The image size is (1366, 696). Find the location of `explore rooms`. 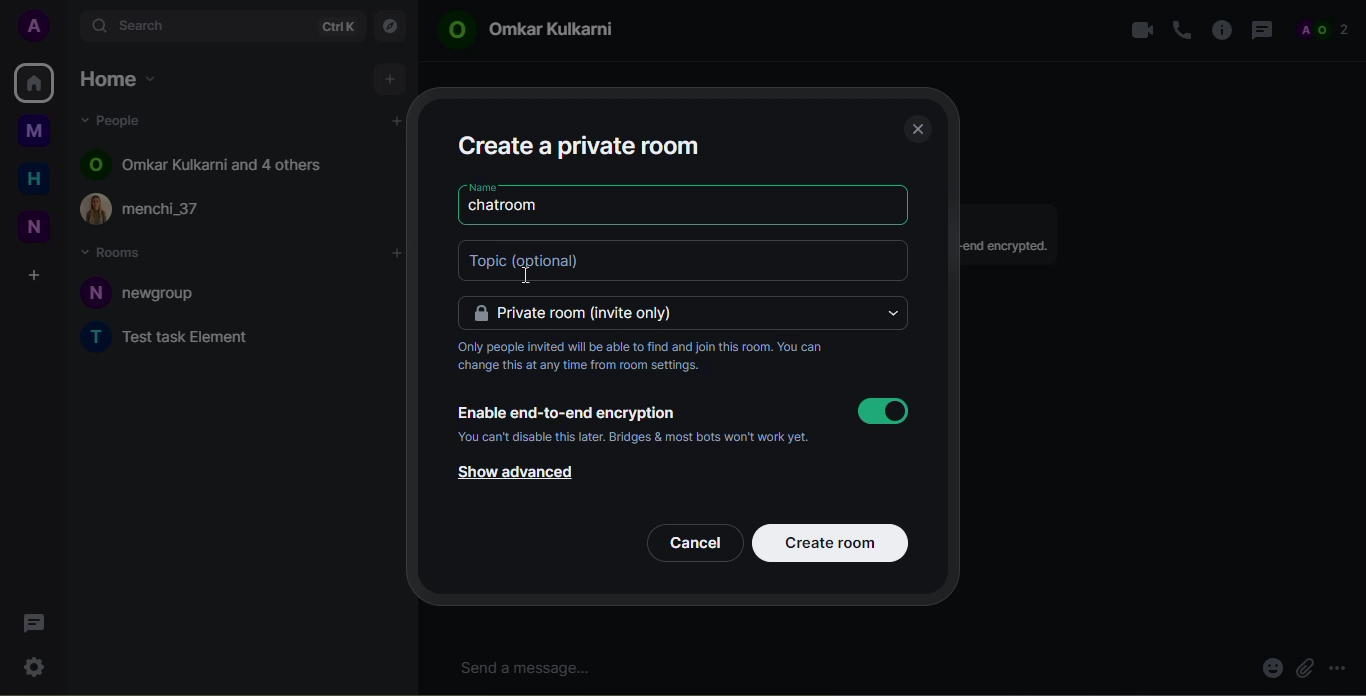

explore rooms is located at coordinates (389, 27).